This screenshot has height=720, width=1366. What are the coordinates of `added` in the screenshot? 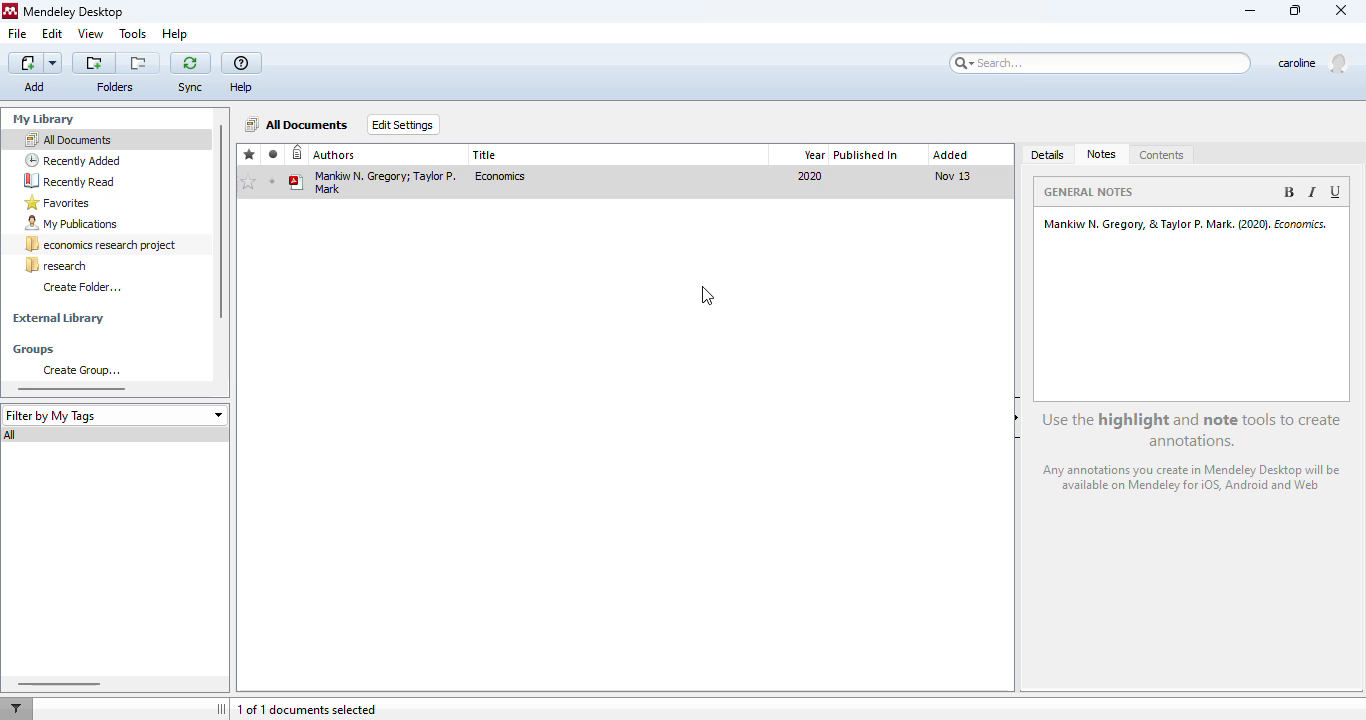 It's located at (950, 155).